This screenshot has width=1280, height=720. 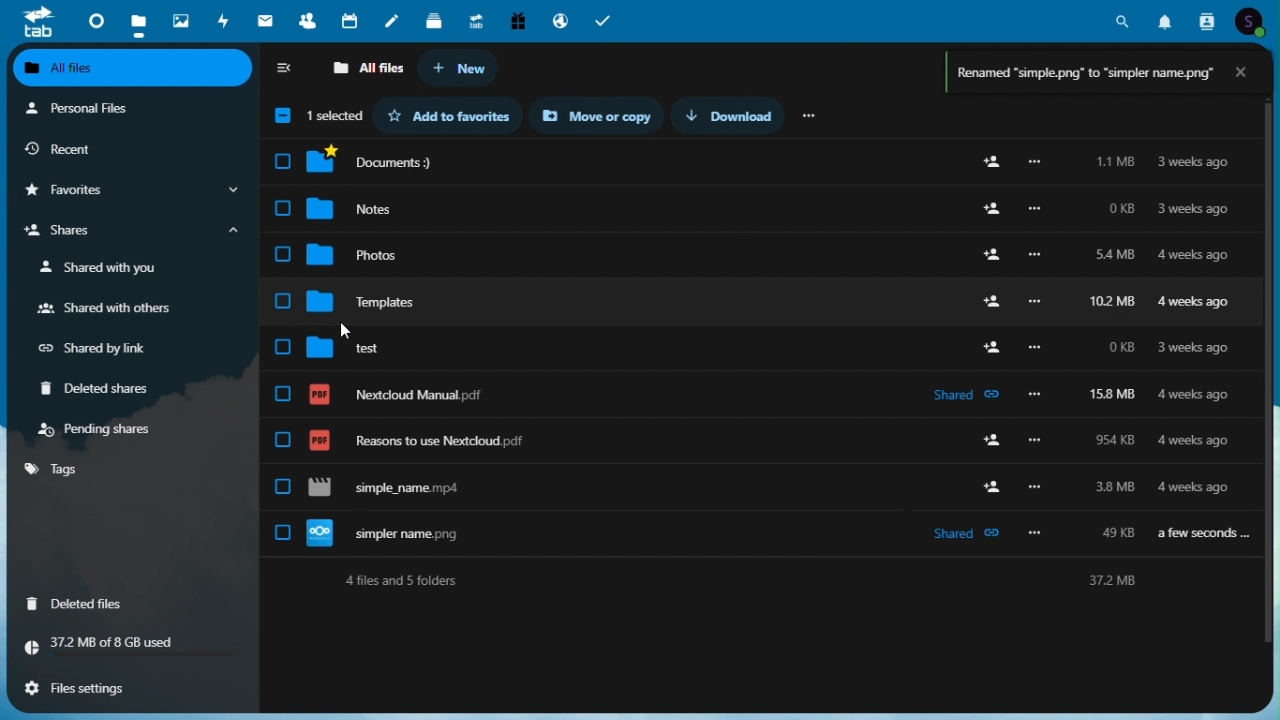 I want to click on deck, so click(x=438, y=22).